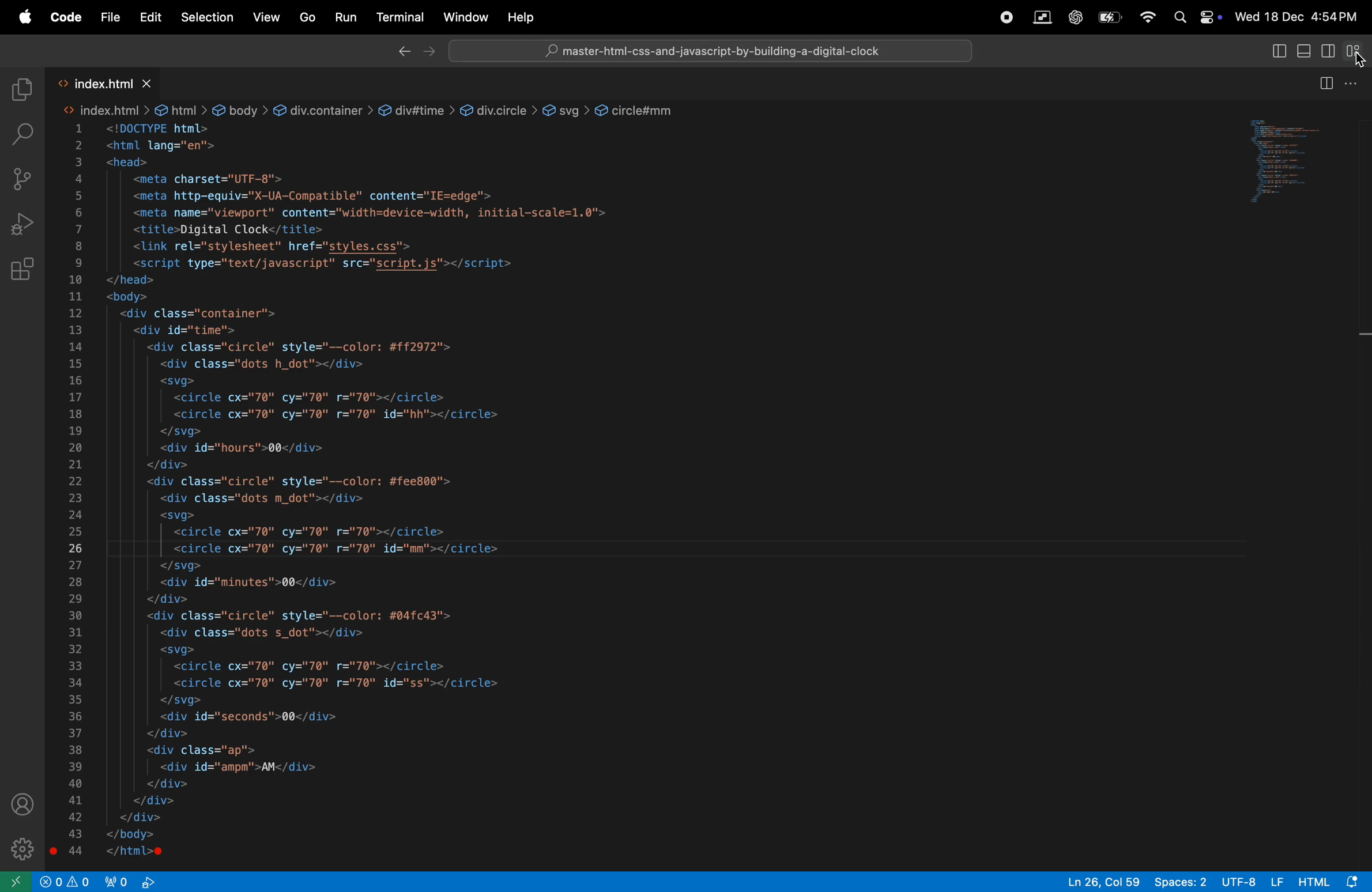  Describe the element at coordinates (21, 89) in the screenshot. I see `explore` at that location.